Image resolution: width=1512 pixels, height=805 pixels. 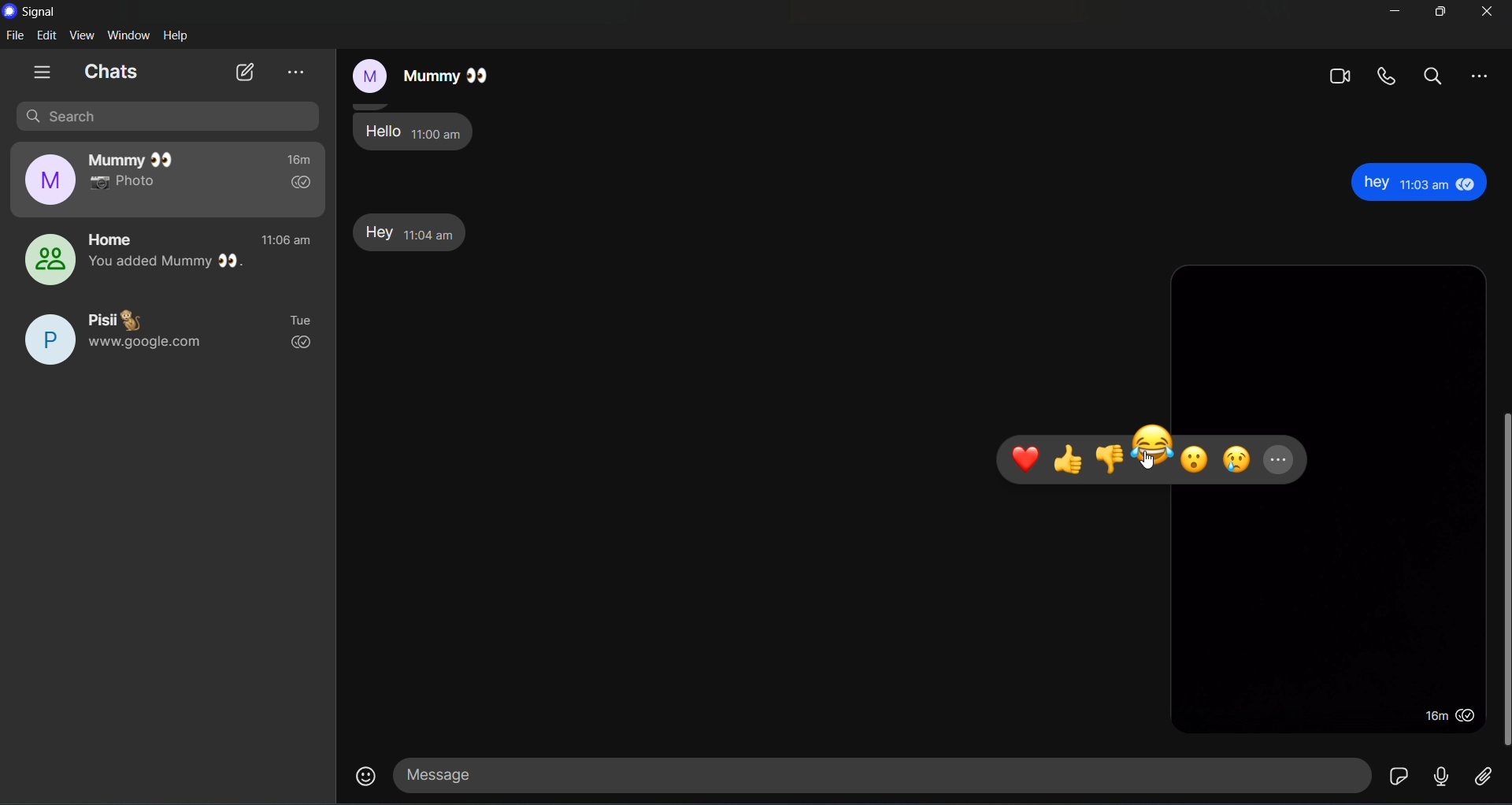 I want to click on file share, so click(x=1482, y=779).